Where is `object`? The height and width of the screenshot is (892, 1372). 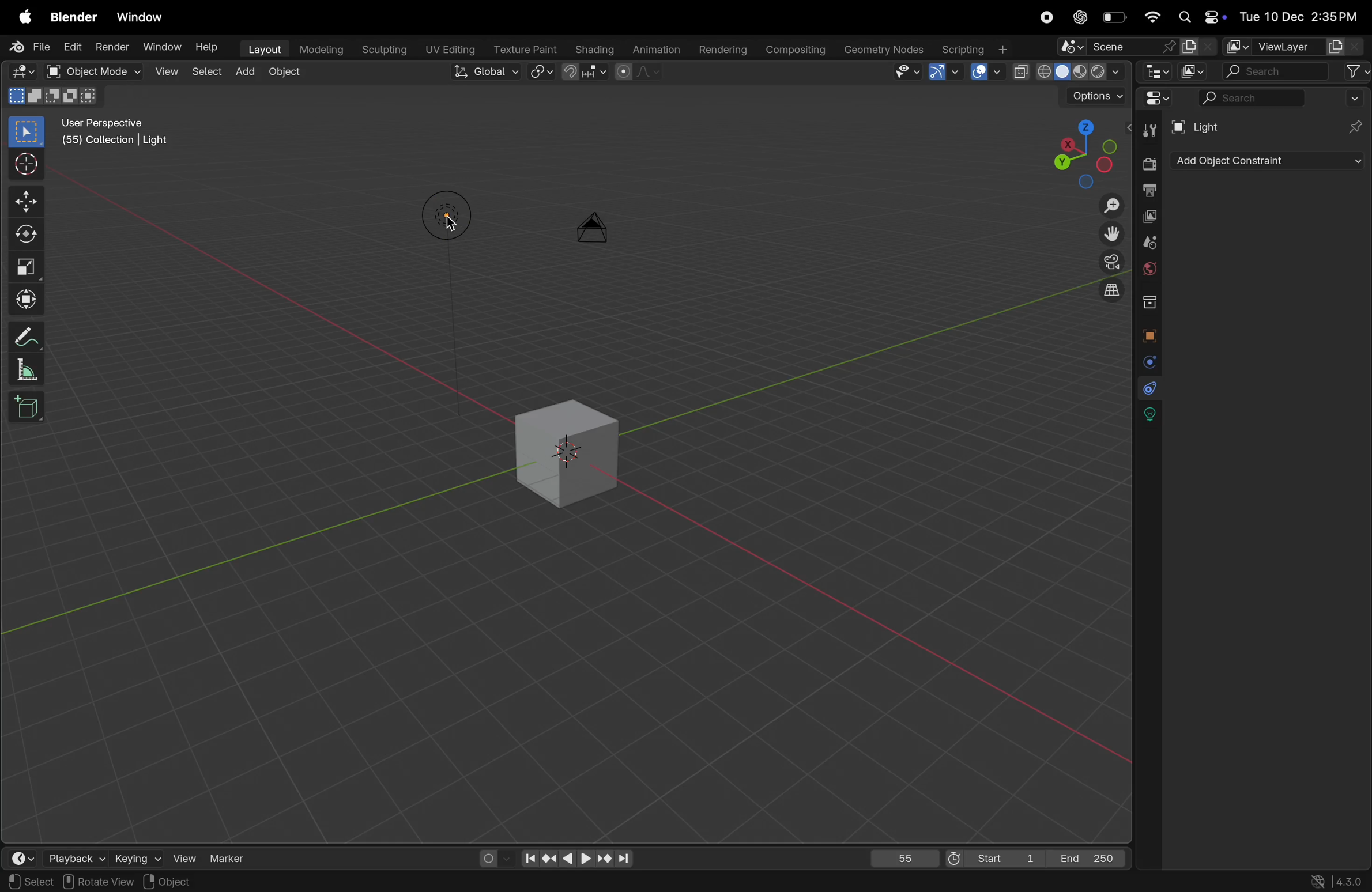
object is located at coordinates (291, 77).